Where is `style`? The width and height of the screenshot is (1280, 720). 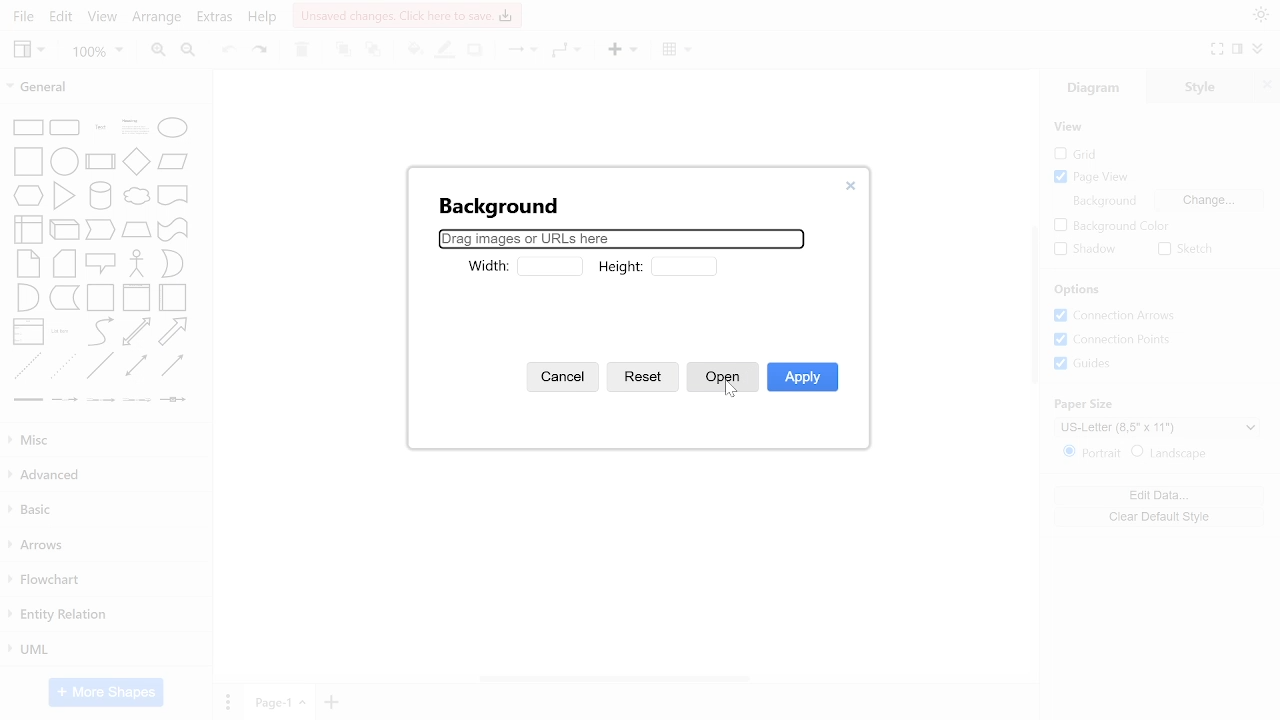 style is located at coordinates (1206, 86).